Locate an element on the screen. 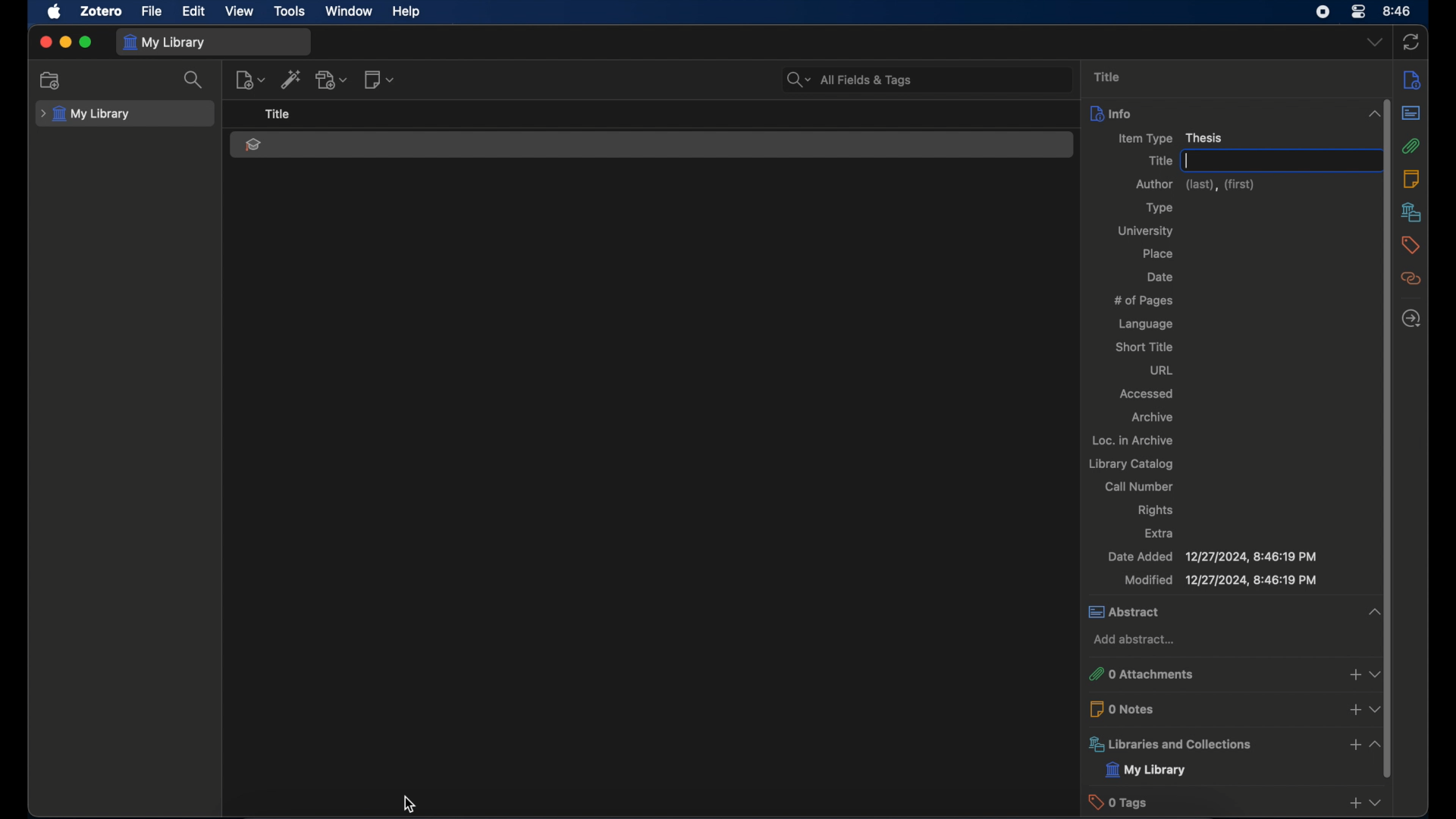  no of pages is located at coordinates (1143, 300).